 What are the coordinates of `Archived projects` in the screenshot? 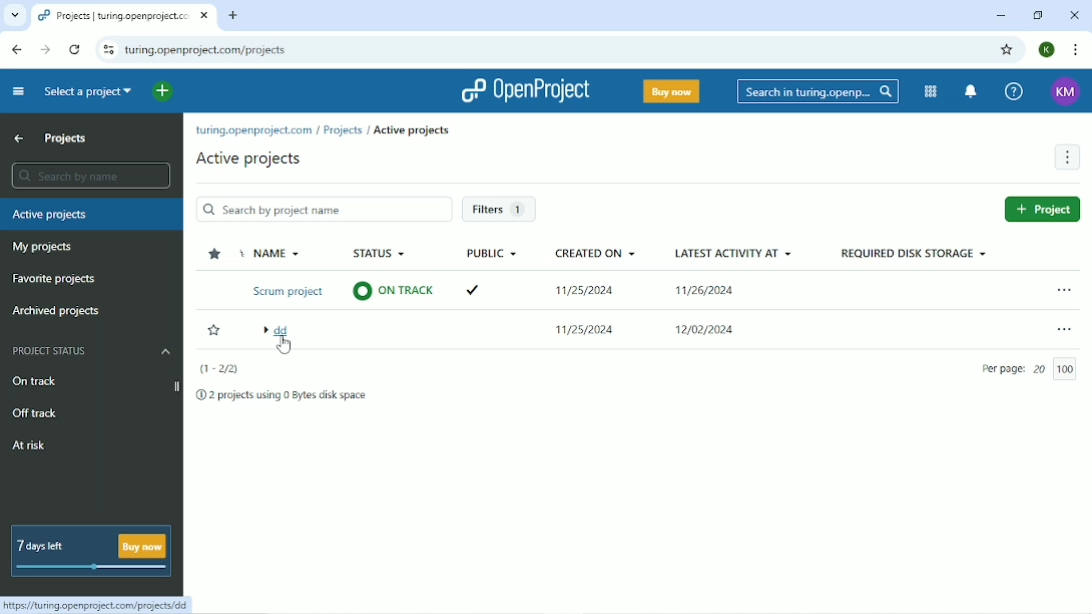 It's located at (57, 310).